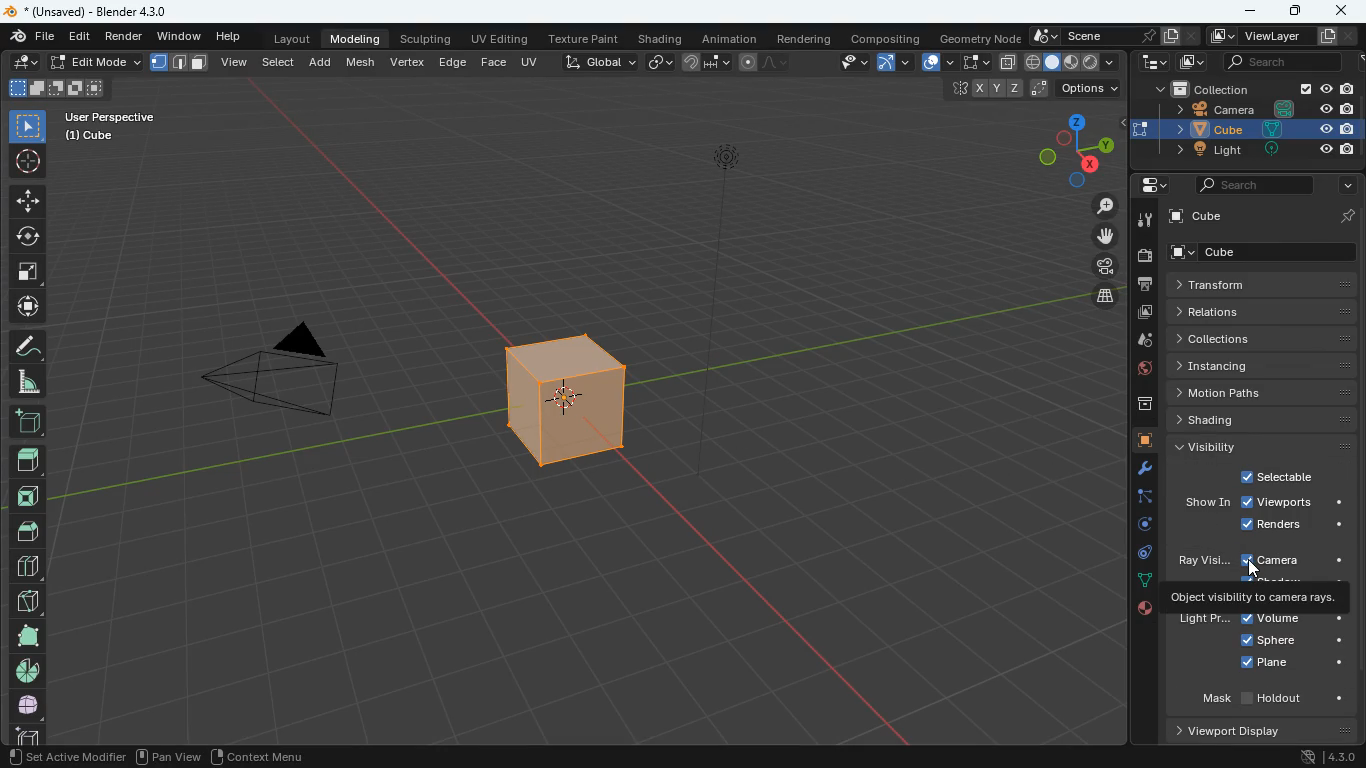  I want to click on rotate, so click(1141, 526).